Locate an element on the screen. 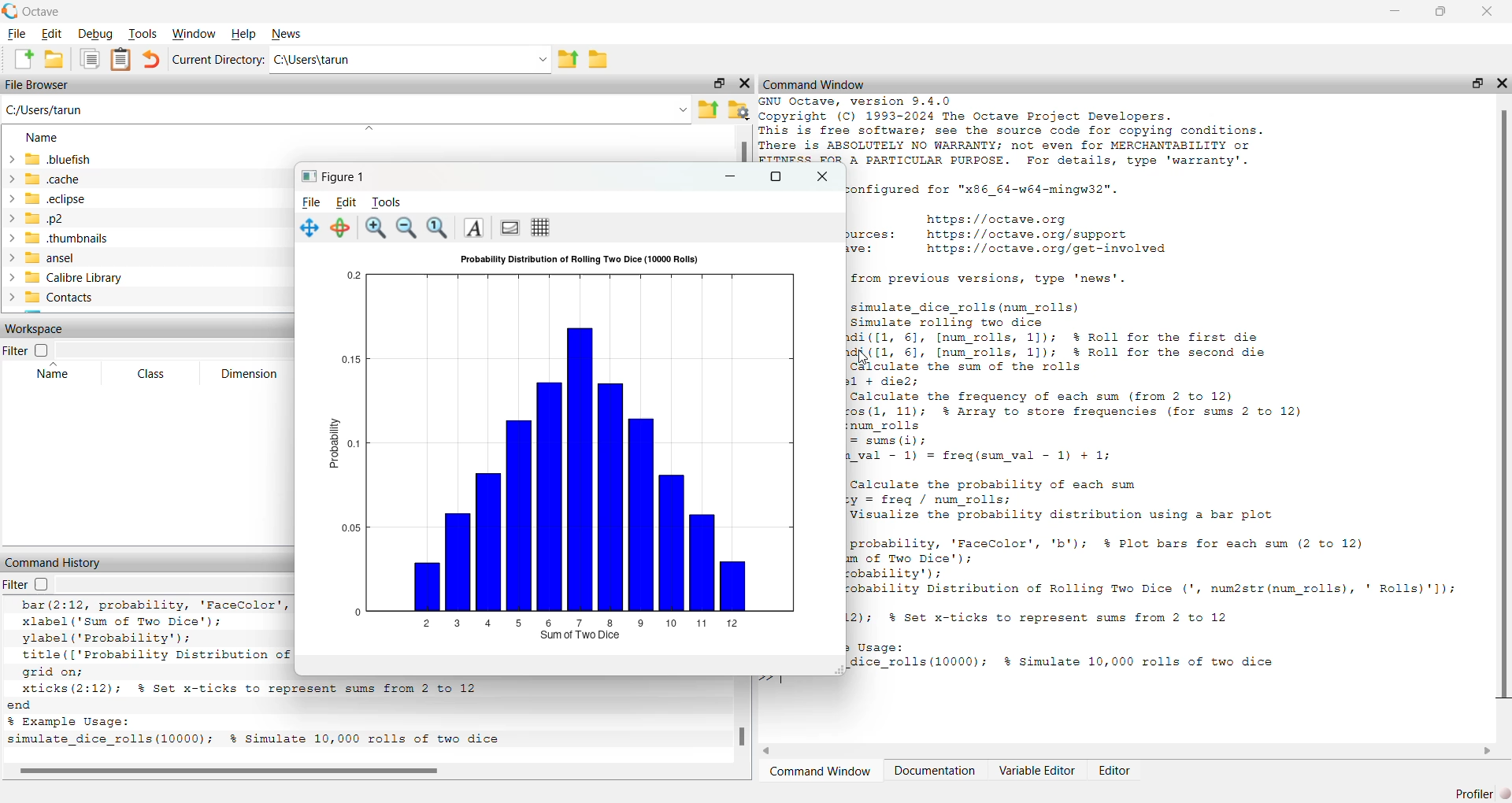 The height and width of the screenshot is (803, 1512). Tools is located at coordinates (141, 33).